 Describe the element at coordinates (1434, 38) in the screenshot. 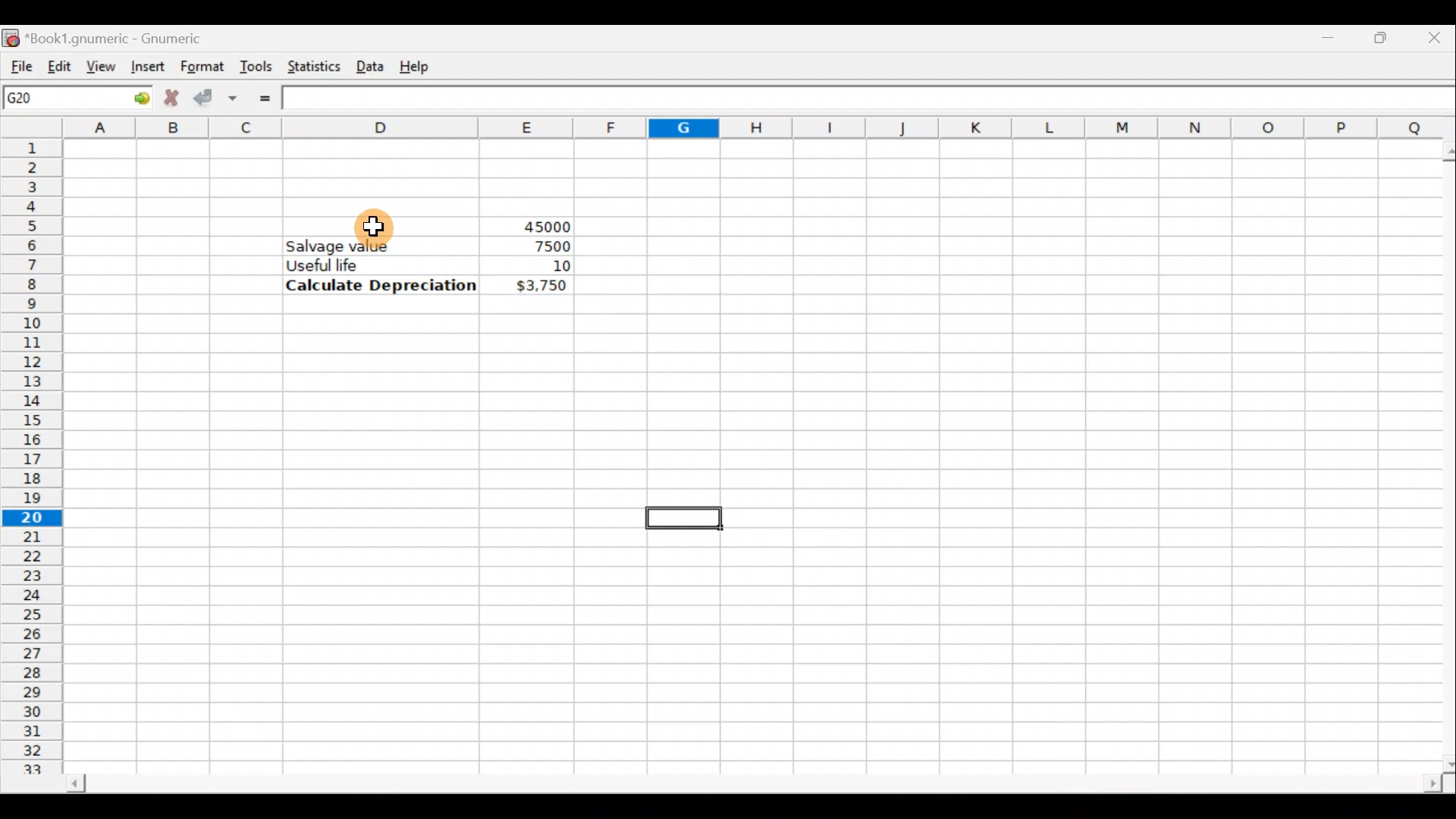

I see `Close` at that location.